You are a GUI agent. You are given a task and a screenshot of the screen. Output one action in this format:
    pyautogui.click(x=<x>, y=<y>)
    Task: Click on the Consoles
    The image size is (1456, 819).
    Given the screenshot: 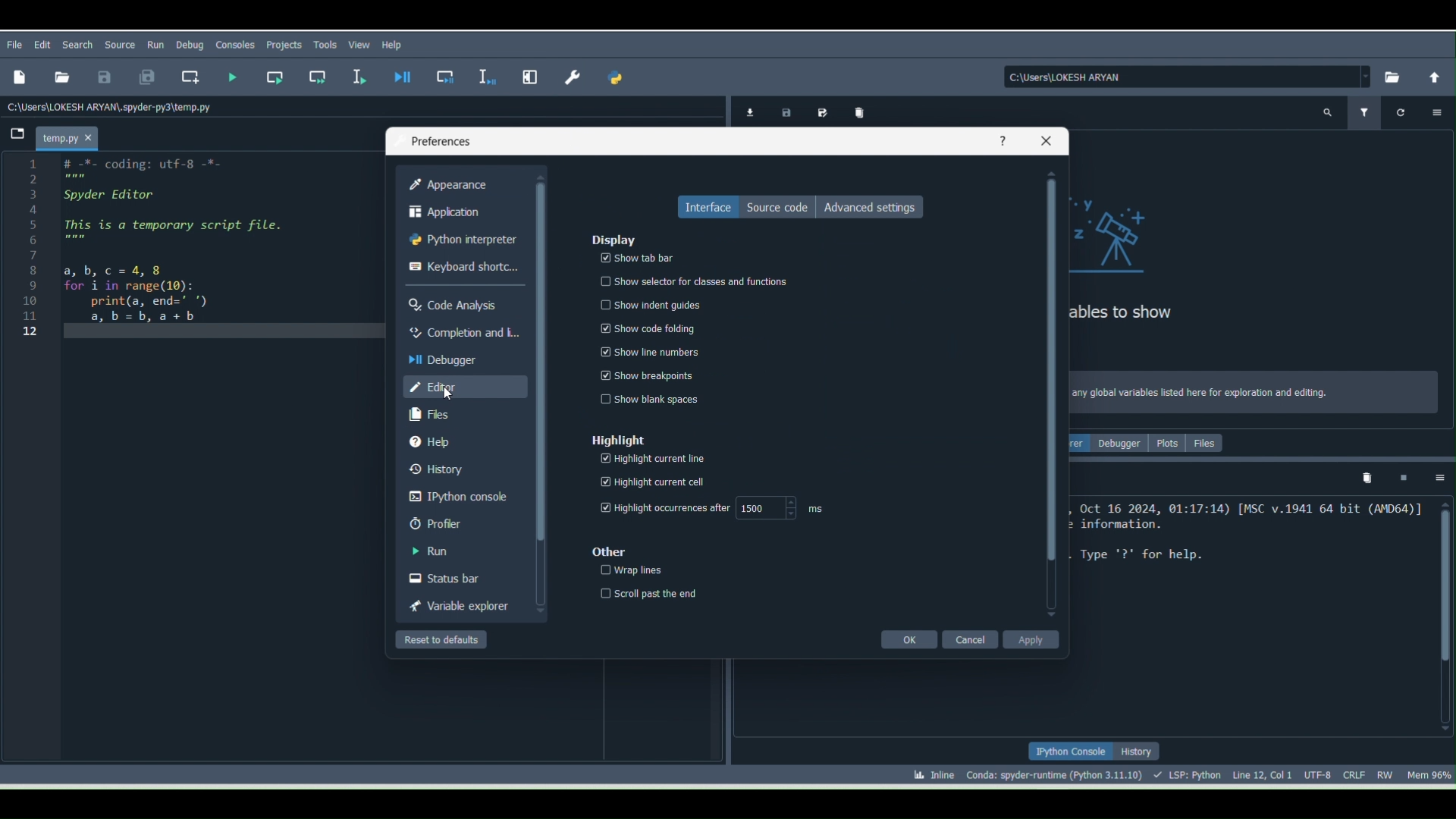 What is the action you would take?
    pyautogui.click(x=233, y=47)
    